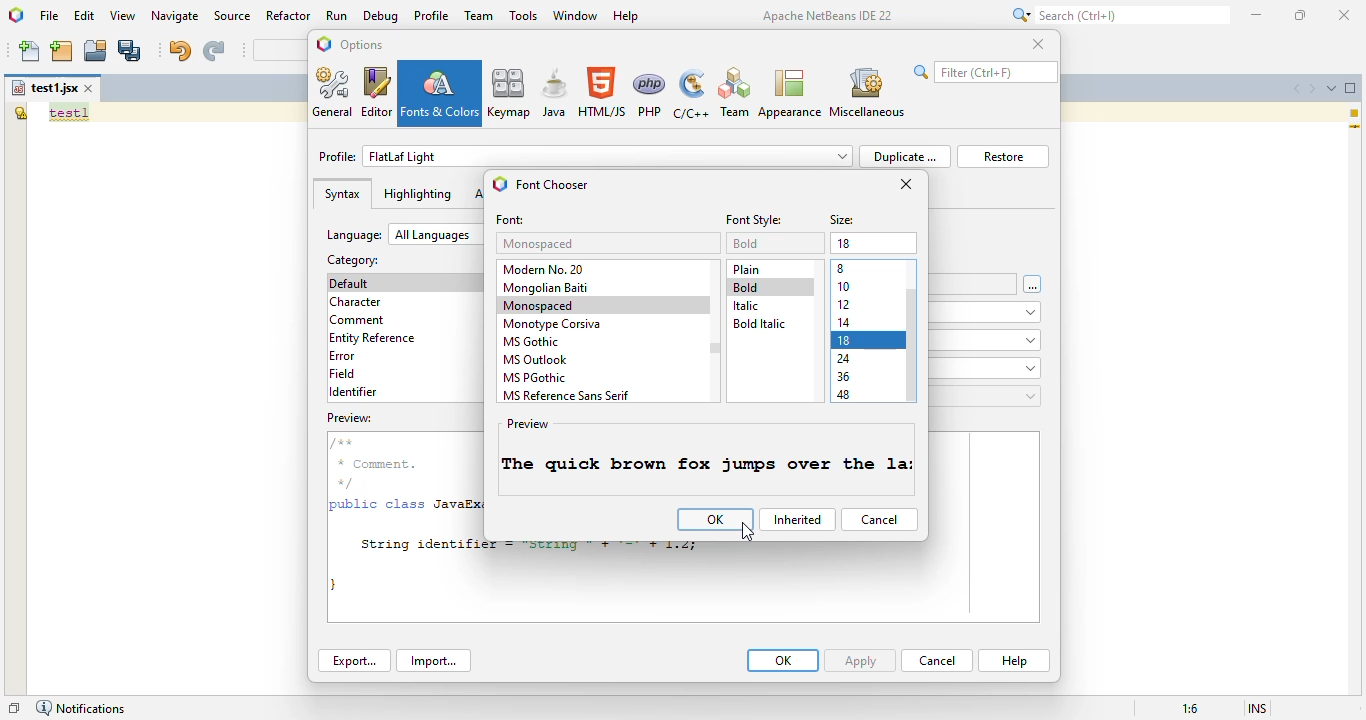 The width and height of the screenshot is (1366, 720). What do you see at coordinates (480, 15) in the screenshot?
I see `team` at bounding box center [480, 15].